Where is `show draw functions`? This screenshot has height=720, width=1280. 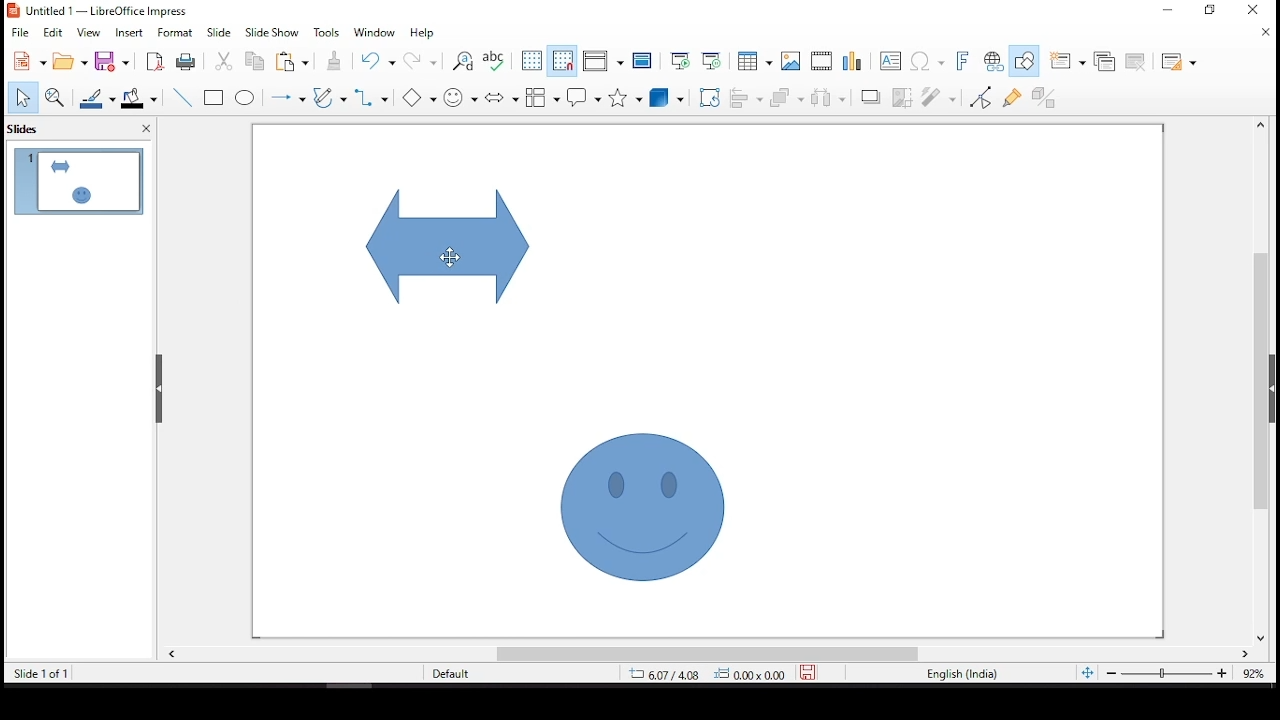 show draw functions is located at coordinates (1025, 59).